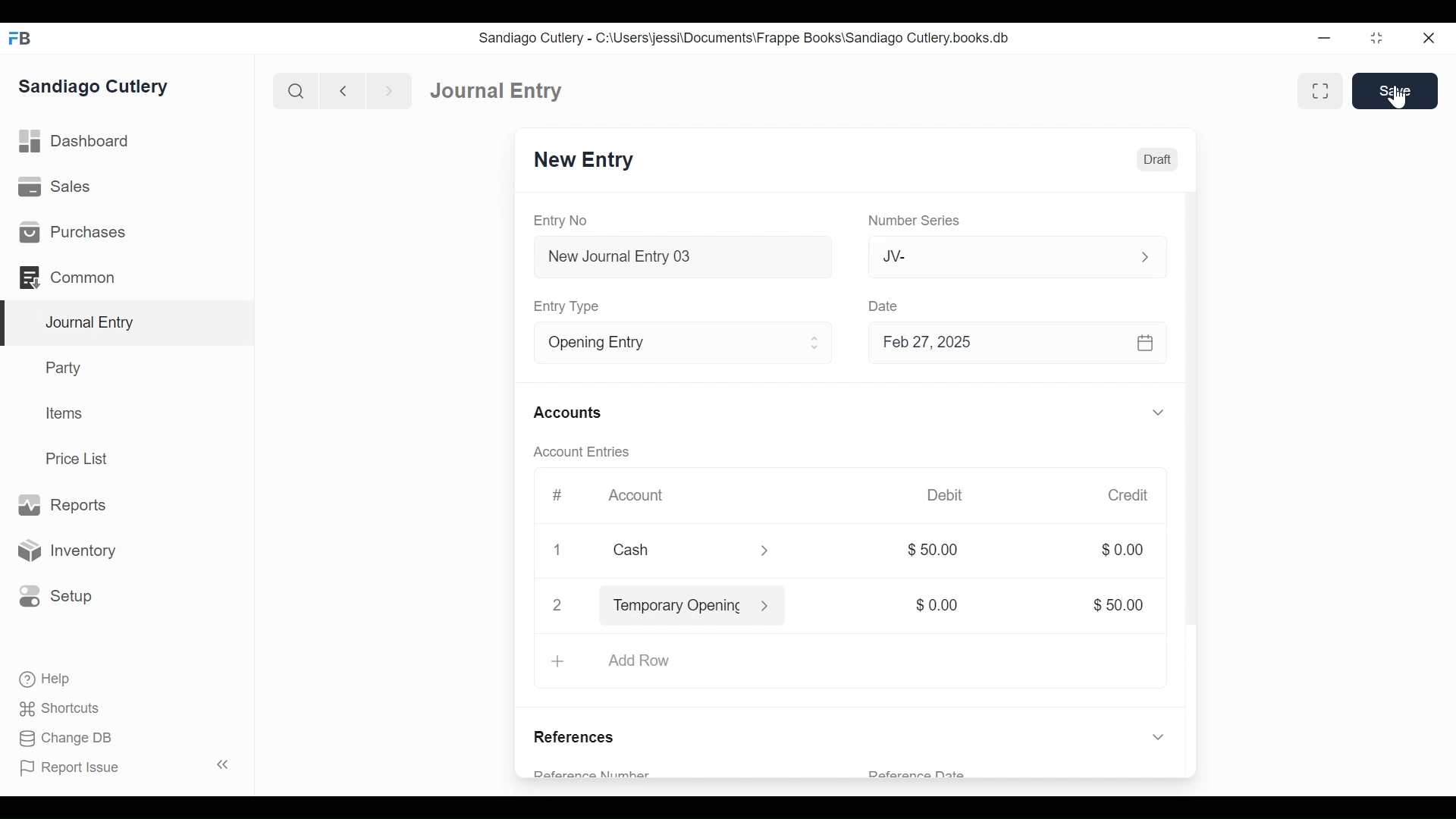  What do you see at coordinates (64, 739) in the screenshot?
I see `Change DB` at bounding box center [64, 739].